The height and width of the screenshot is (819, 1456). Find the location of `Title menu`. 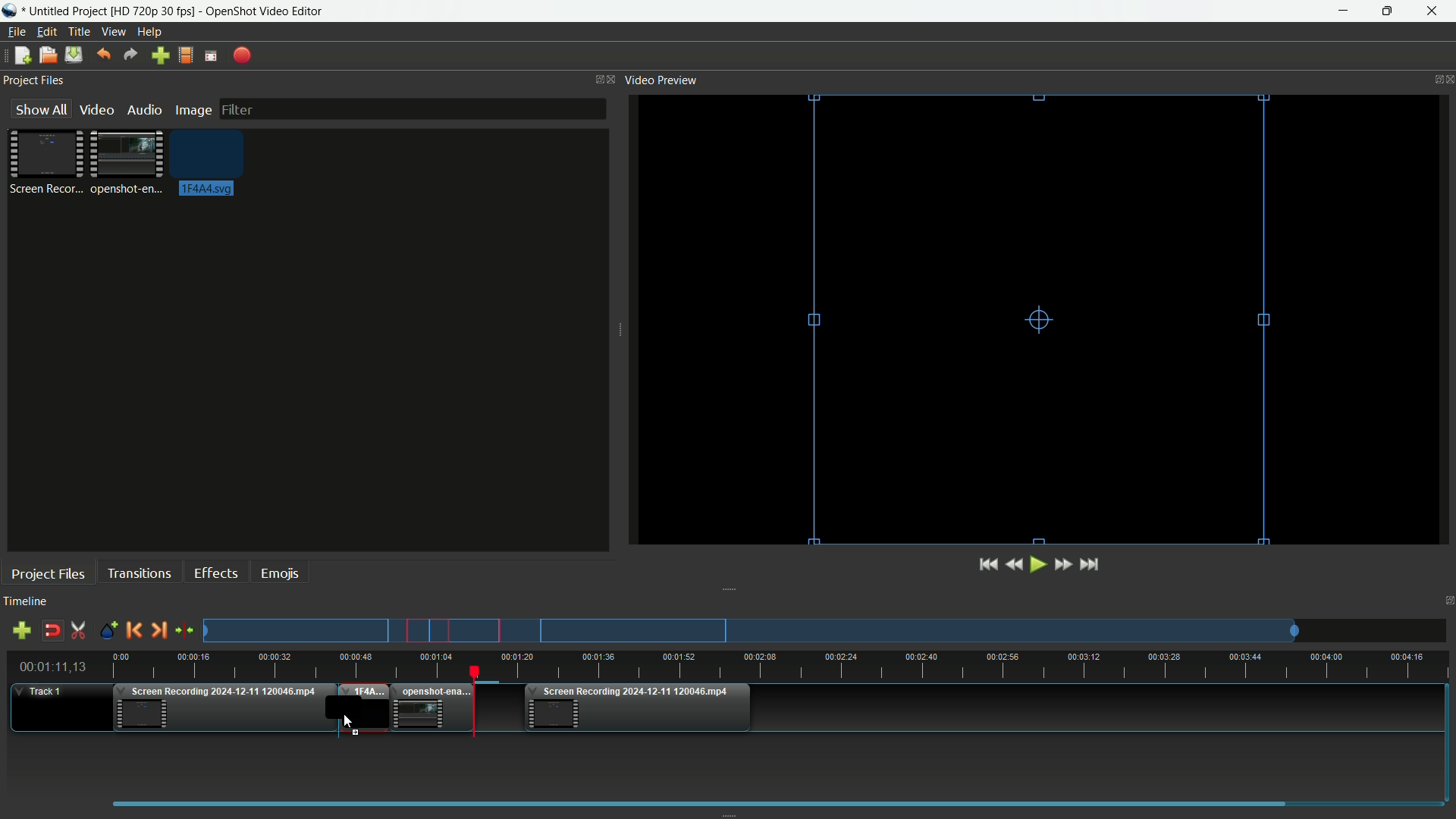

Title menu is located at coordinates (76, 33).